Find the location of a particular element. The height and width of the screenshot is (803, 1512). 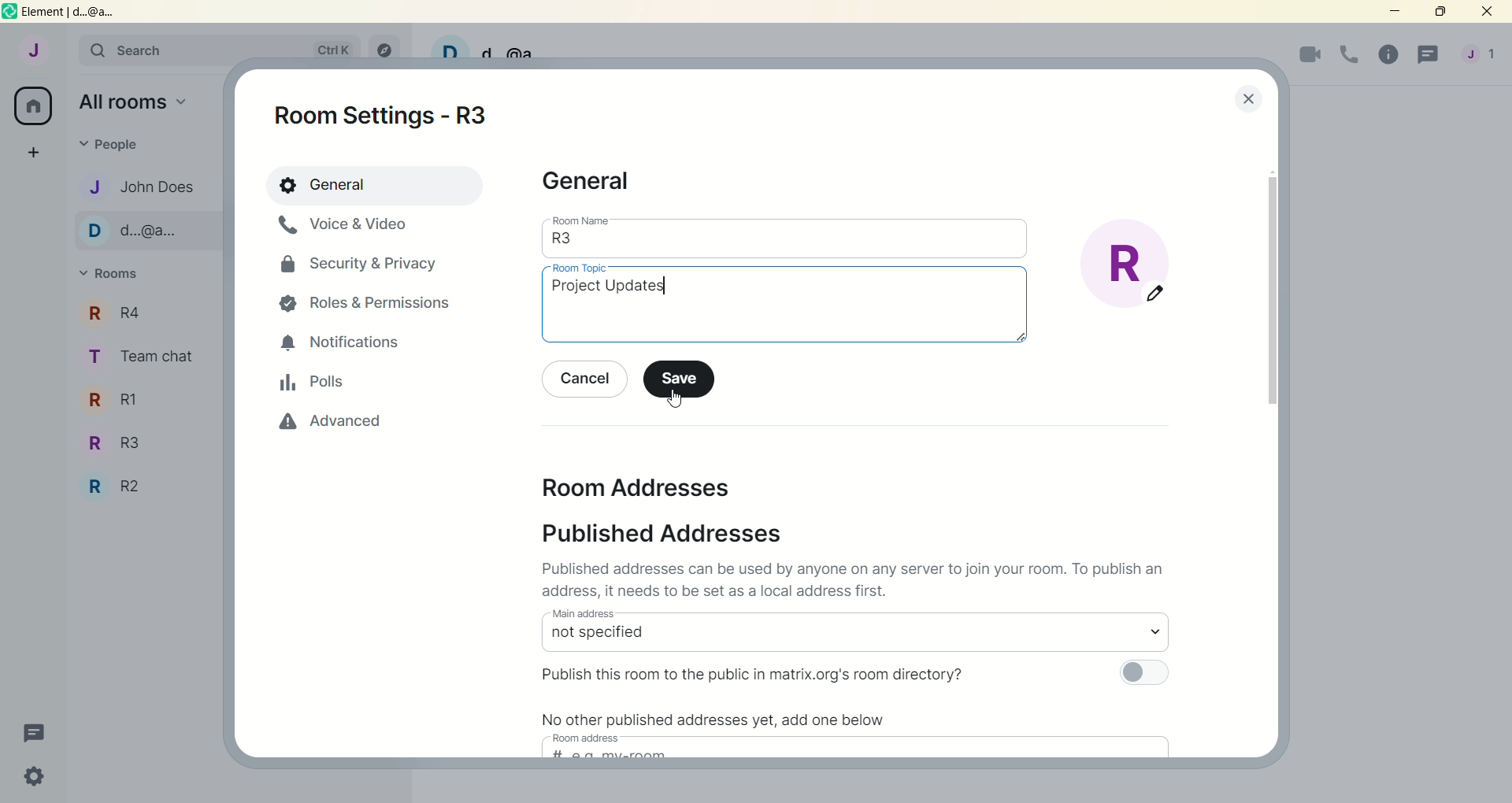

scroll up is located at coordinates (1271, 170).